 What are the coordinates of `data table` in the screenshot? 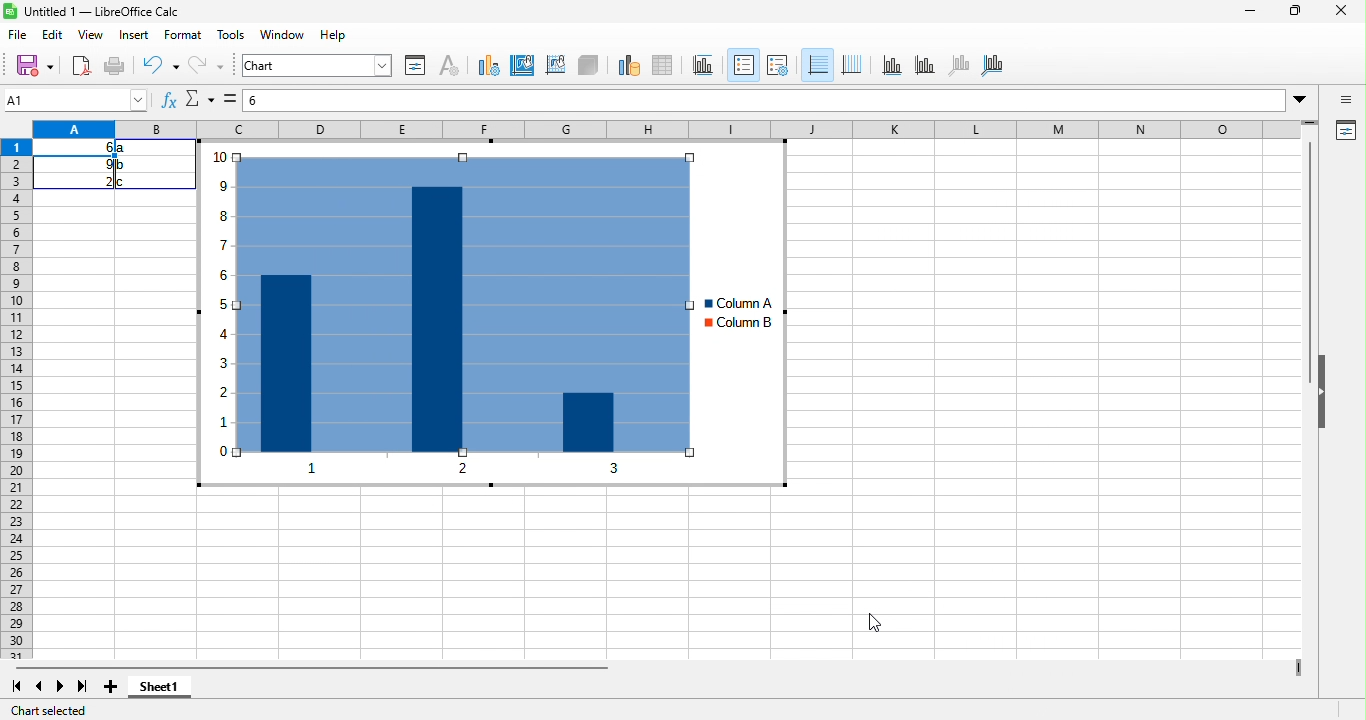 It's located at (666, 66).